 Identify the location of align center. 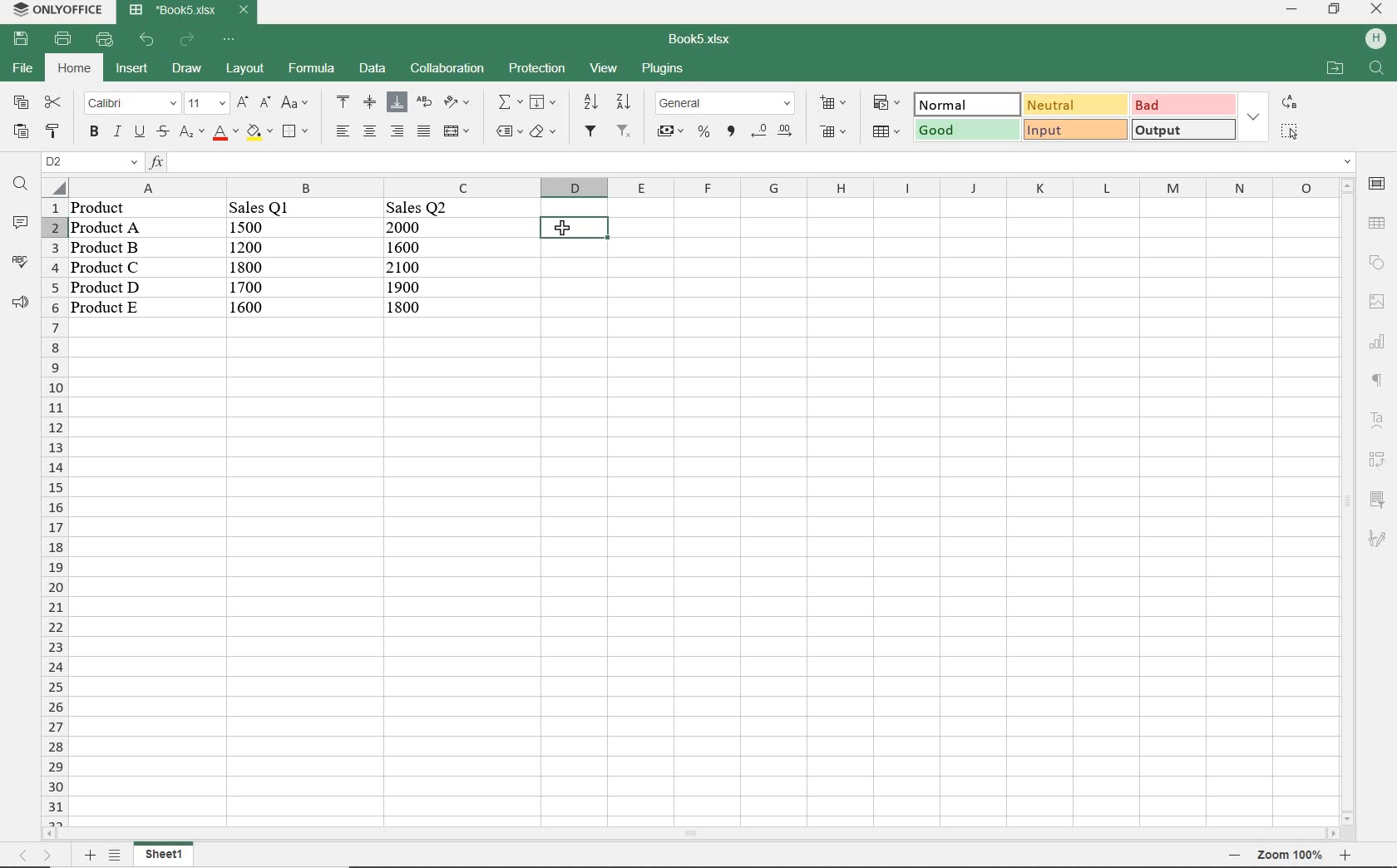
(369, 131).